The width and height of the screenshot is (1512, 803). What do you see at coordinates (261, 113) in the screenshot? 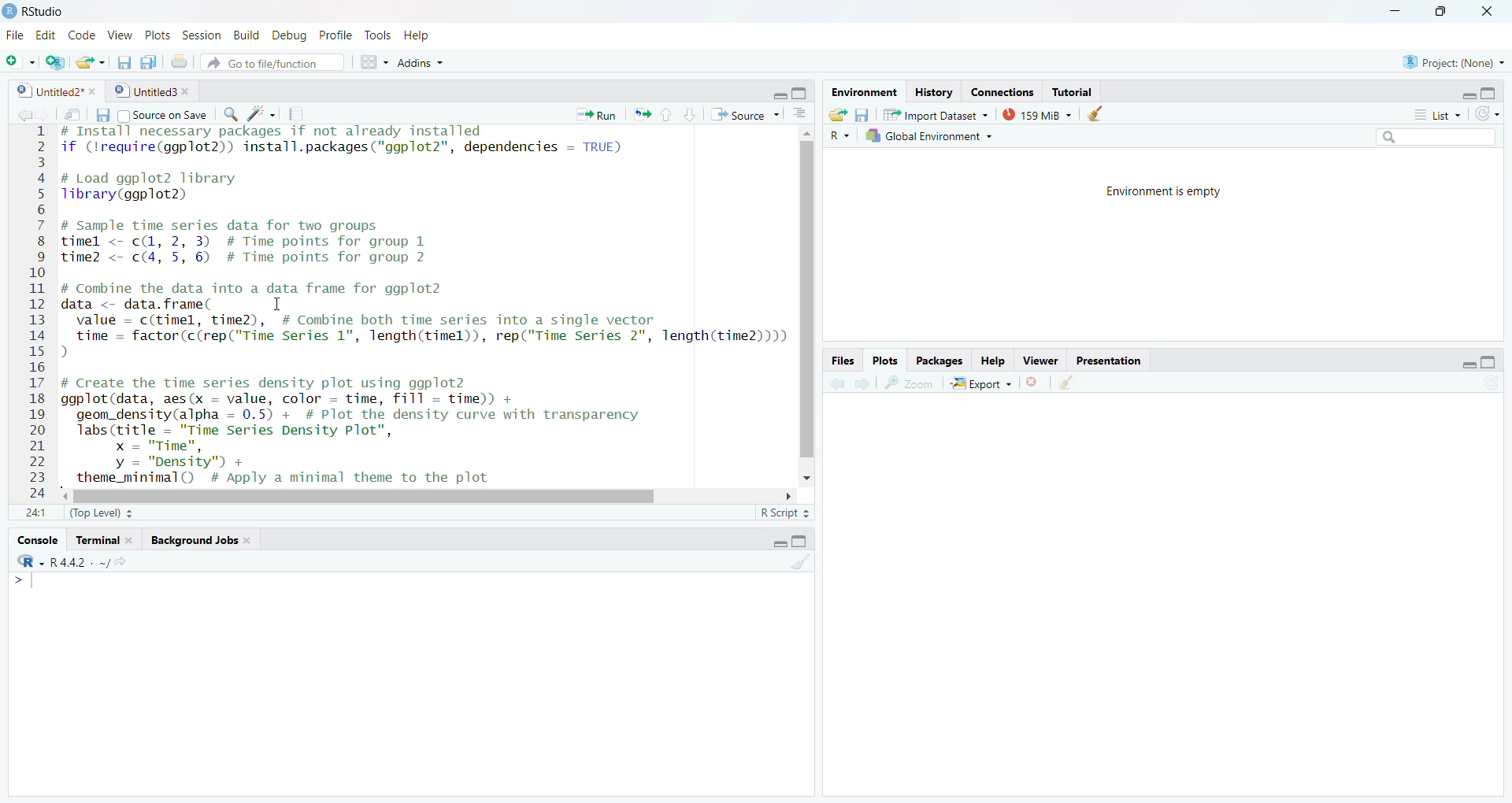
I see `Code Tools` at bounding box center [261, 113].